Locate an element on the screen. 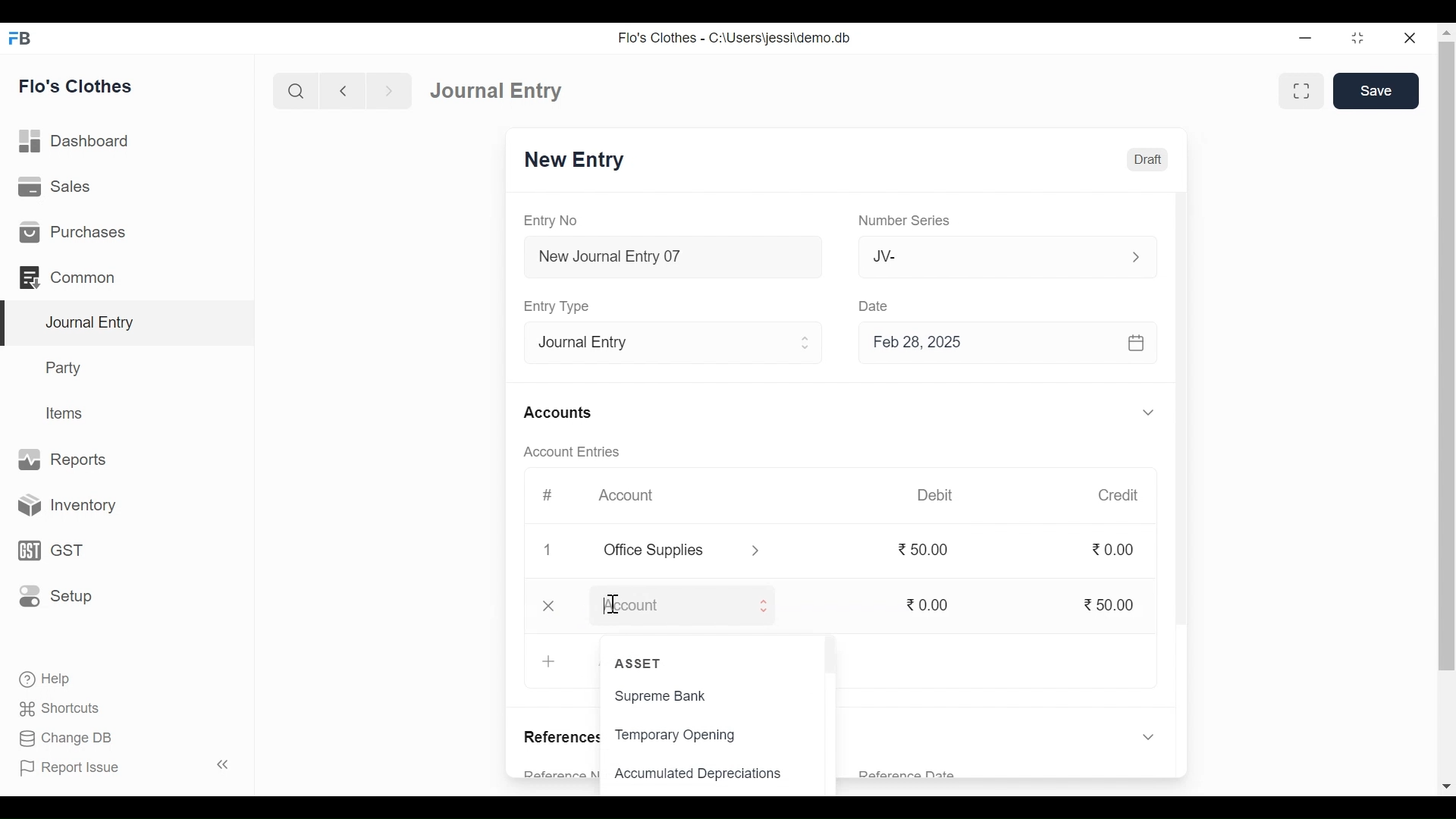 This screenshot has width=1456, height=819. Scroll down is located at coordinates (1446, 787).